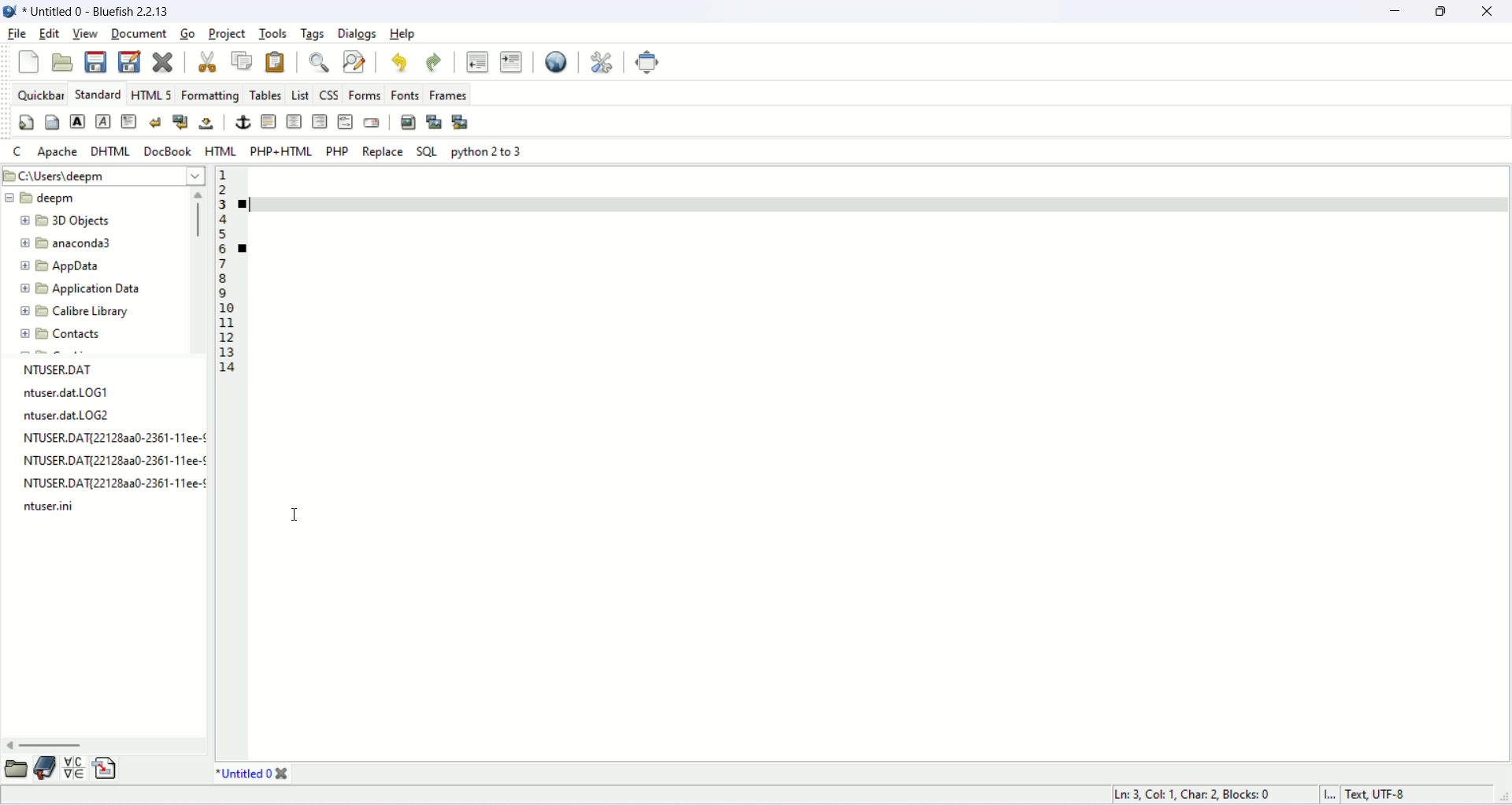 The height and width of the screenshot is (805, 1512). Describe the element at coordinates (477, 64) in the screenshot. I see `unindent` at that location.